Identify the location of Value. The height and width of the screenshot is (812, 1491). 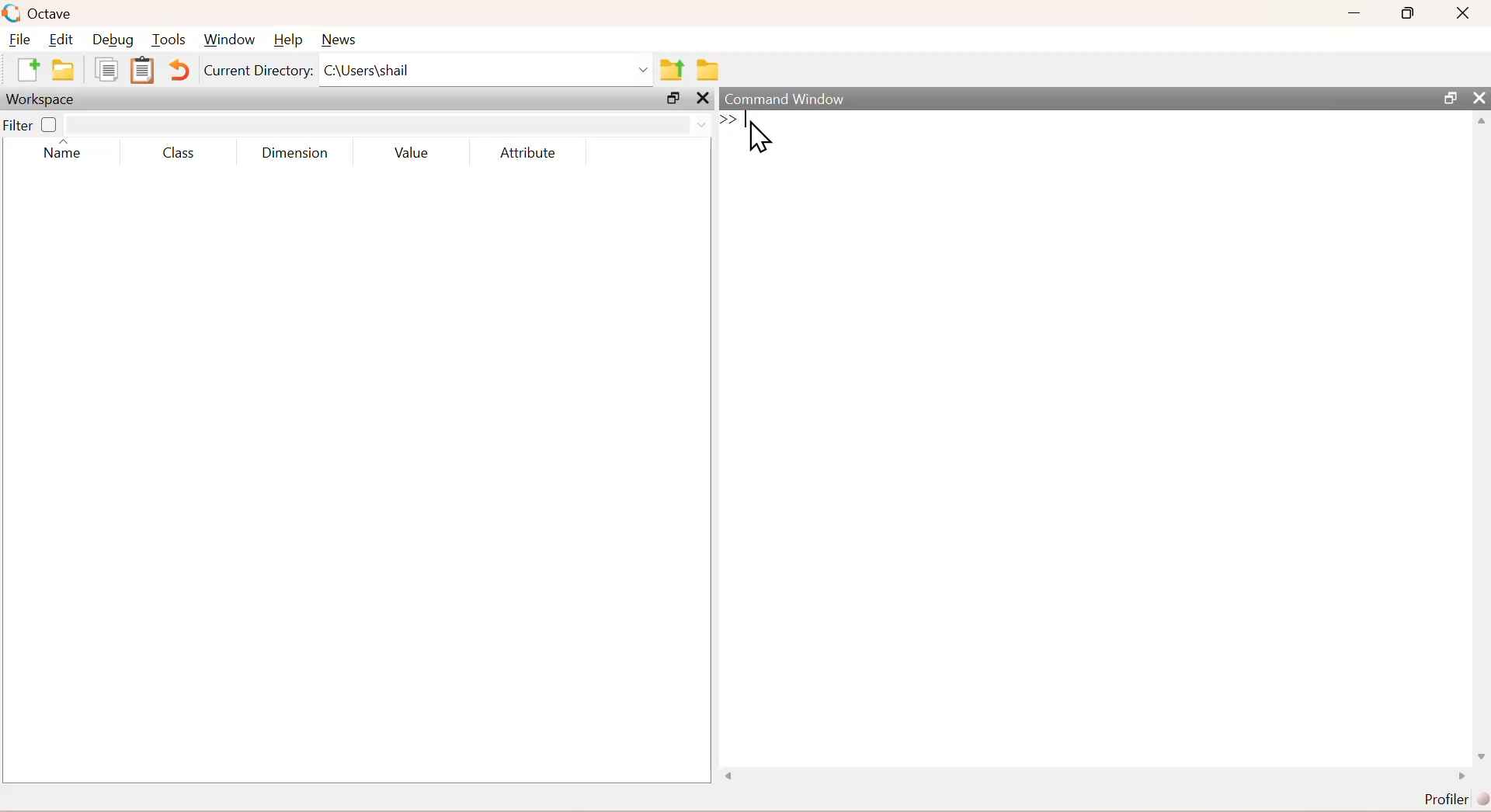
(410, 151).